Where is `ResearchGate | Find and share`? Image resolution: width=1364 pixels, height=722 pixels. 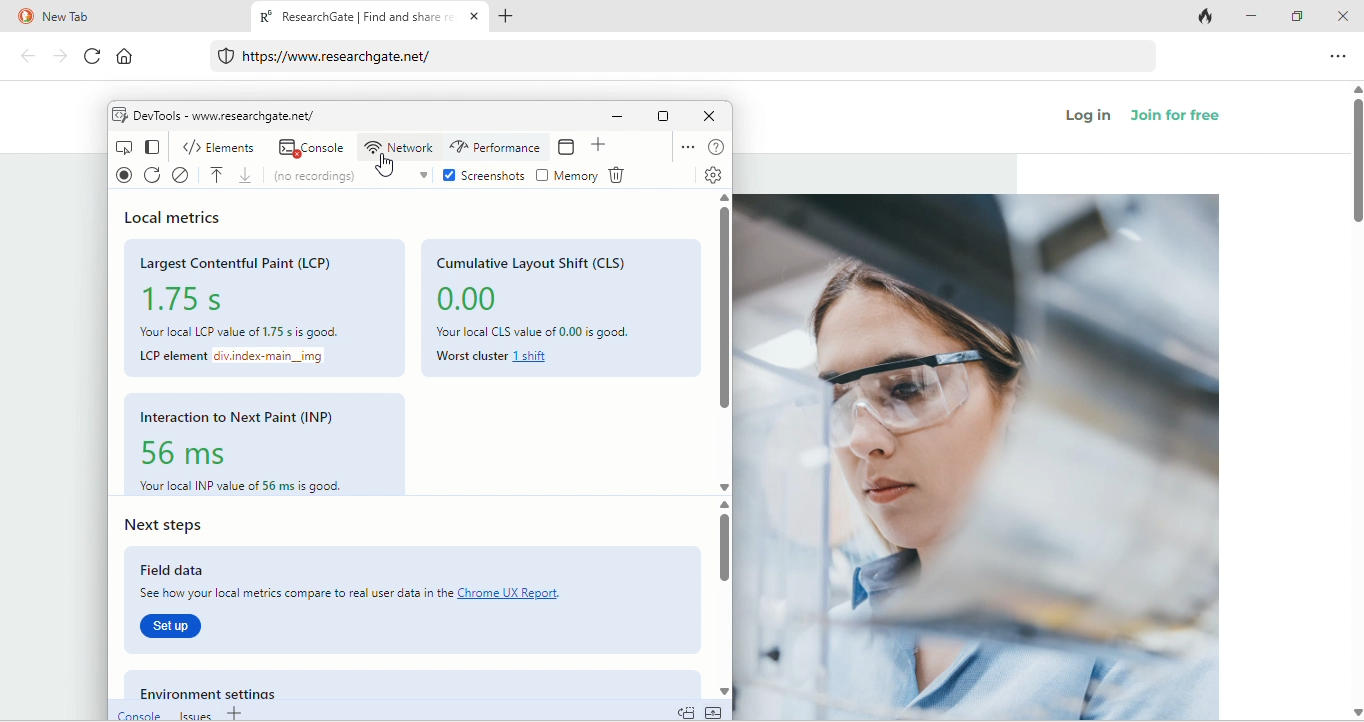
ResearchGate | Find and share is located at coordinates (353, 19).